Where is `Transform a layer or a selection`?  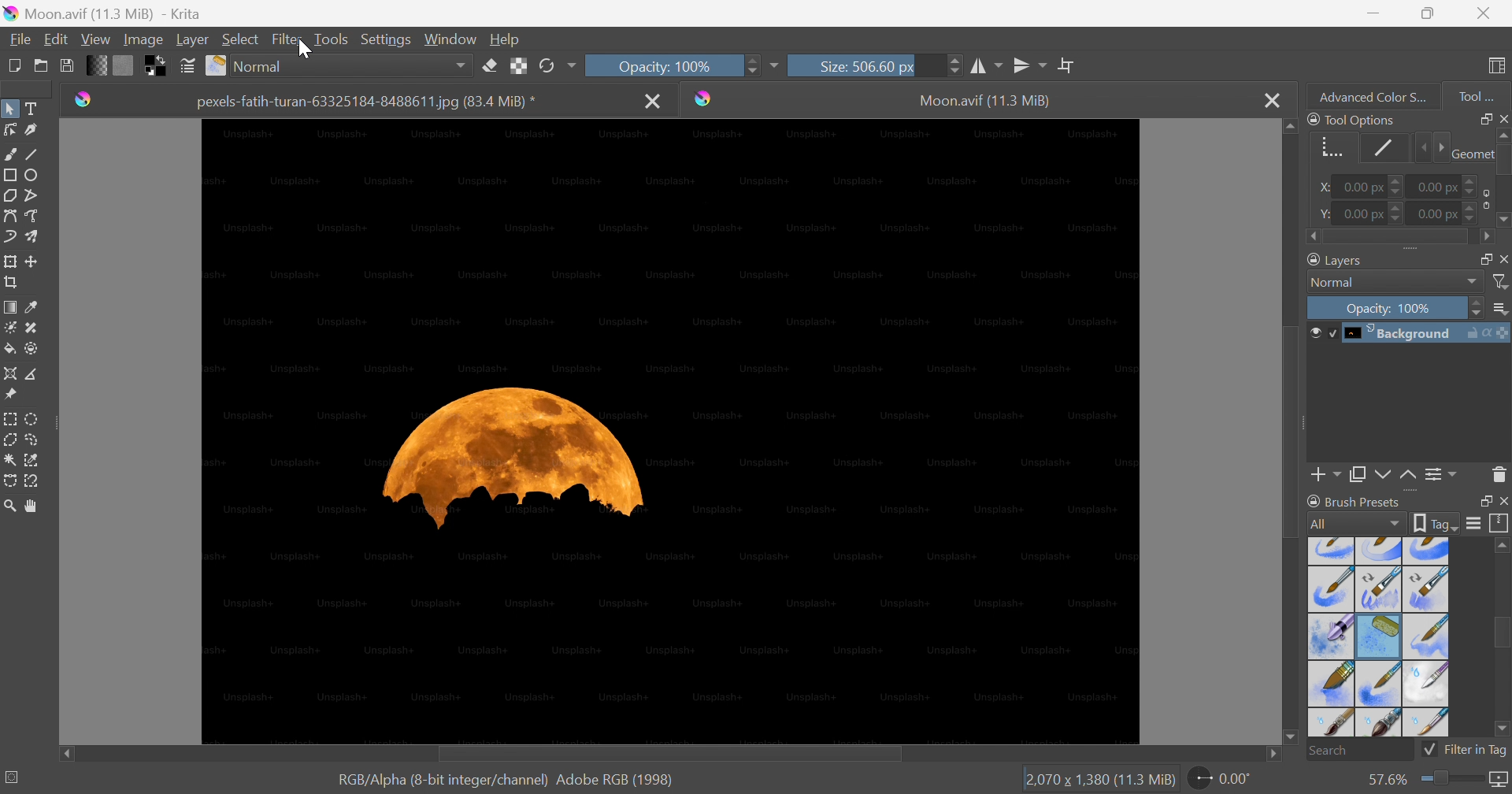
Transform a layer or a selection is located at coordinates (9, 260).